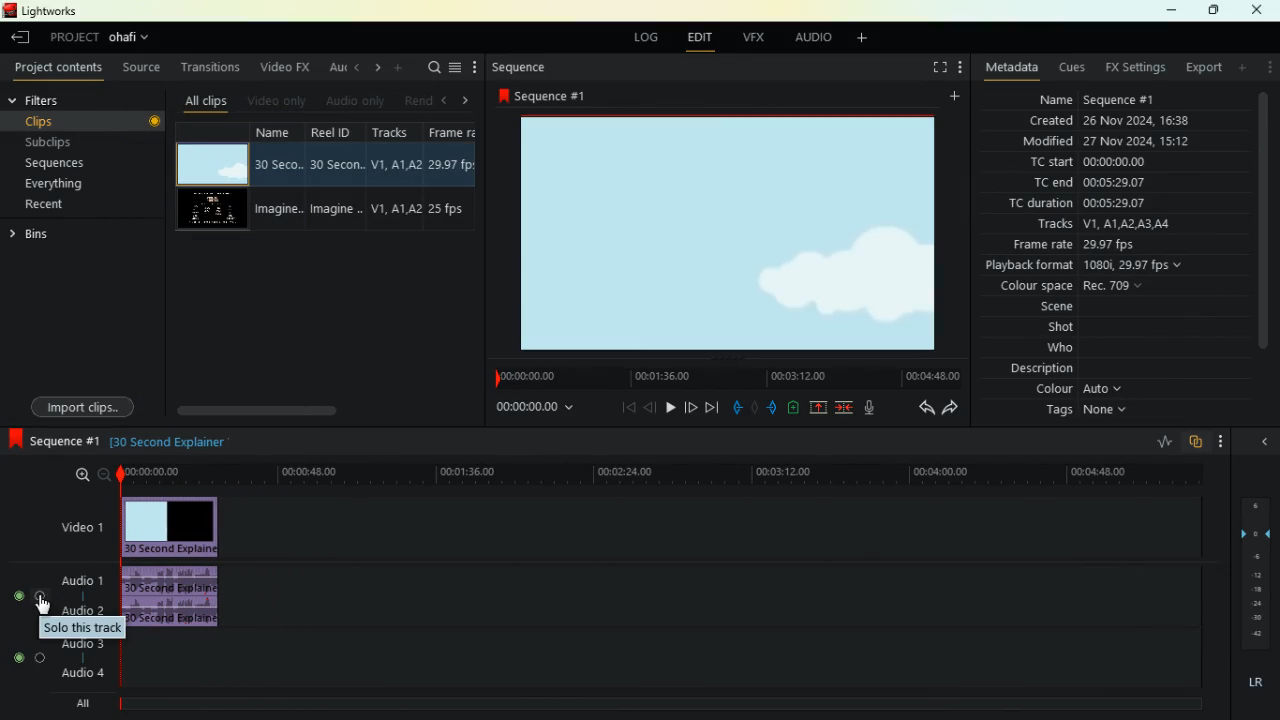  What do you see at coordinates (144, 70) in the screenshot?
I see `source` at bounding box center [144, 70].